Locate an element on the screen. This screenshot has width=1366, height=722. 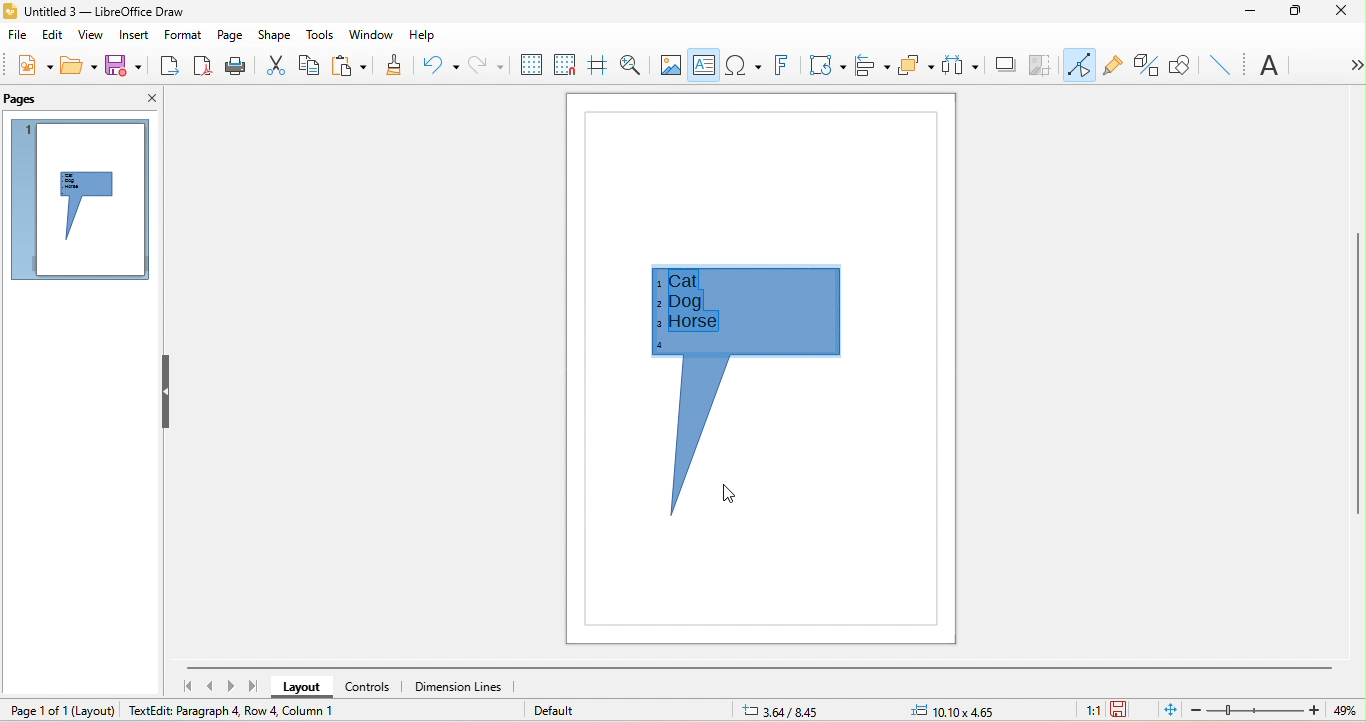
copy is located at coordinates (311, 67).